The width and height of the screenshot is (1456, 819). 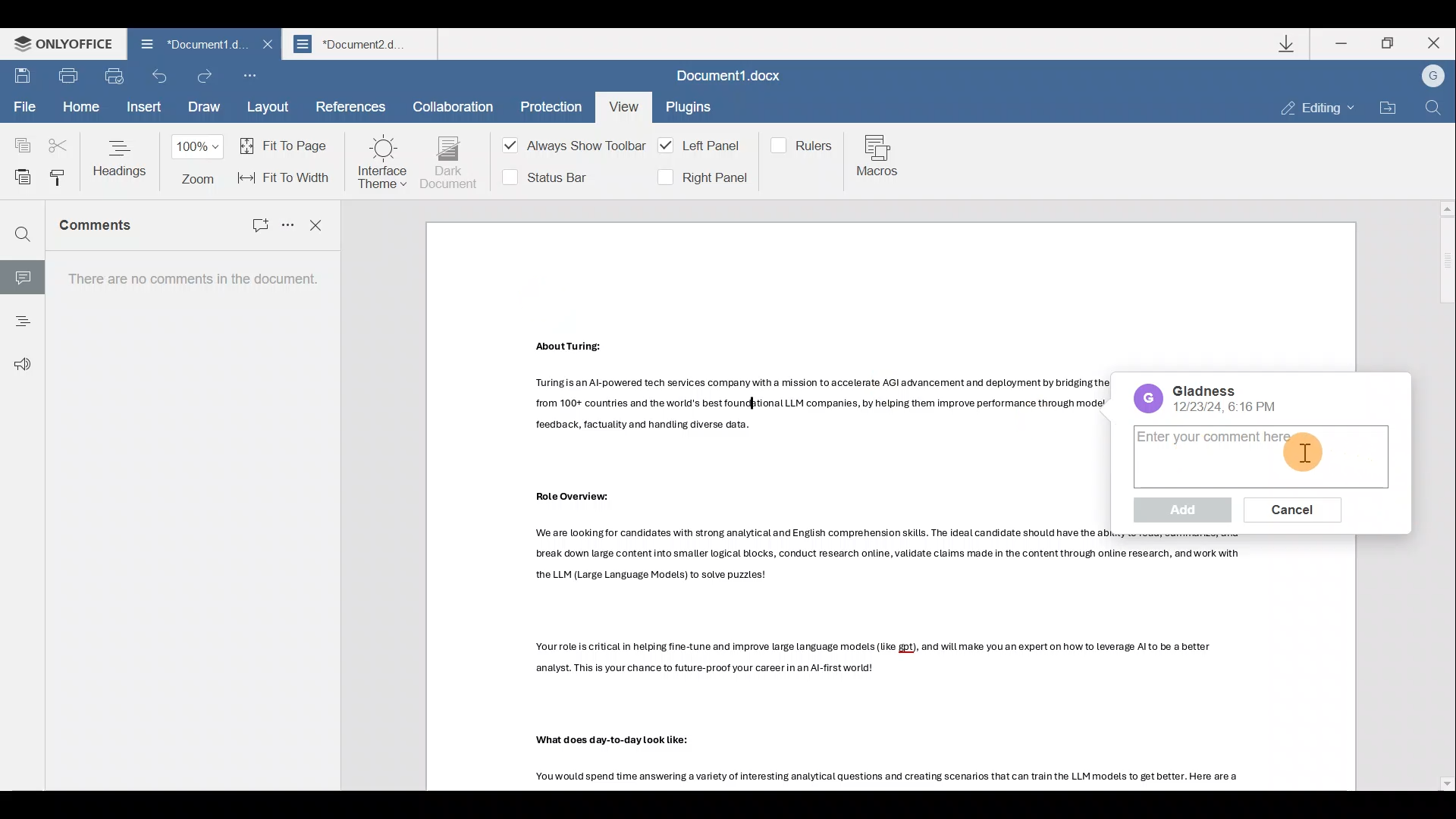 I want to click on Insert, so click(x=142, y=109).